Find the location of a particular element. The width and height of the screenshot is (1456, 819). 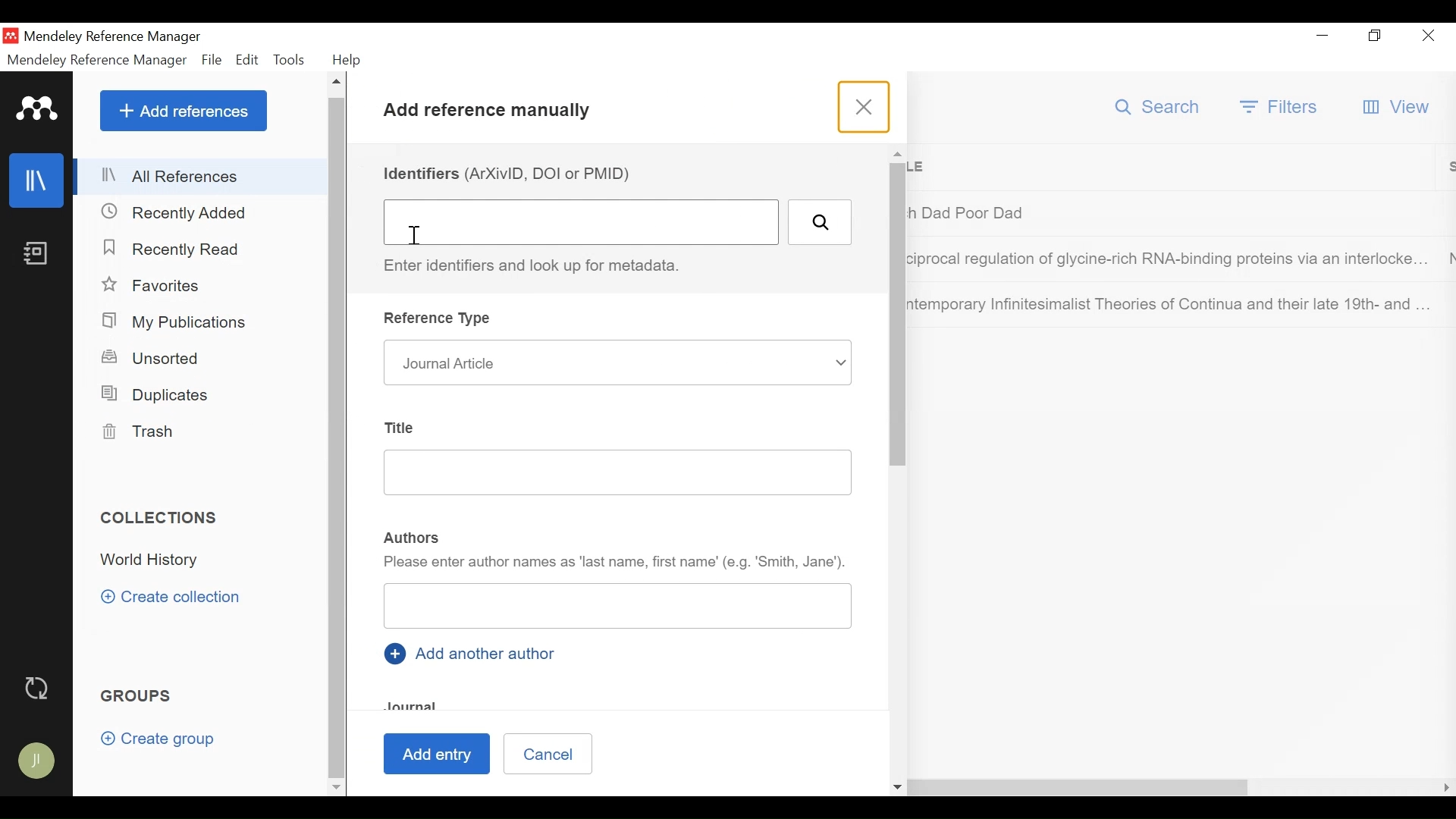

Duplicates is located at coordinates (157, 393).